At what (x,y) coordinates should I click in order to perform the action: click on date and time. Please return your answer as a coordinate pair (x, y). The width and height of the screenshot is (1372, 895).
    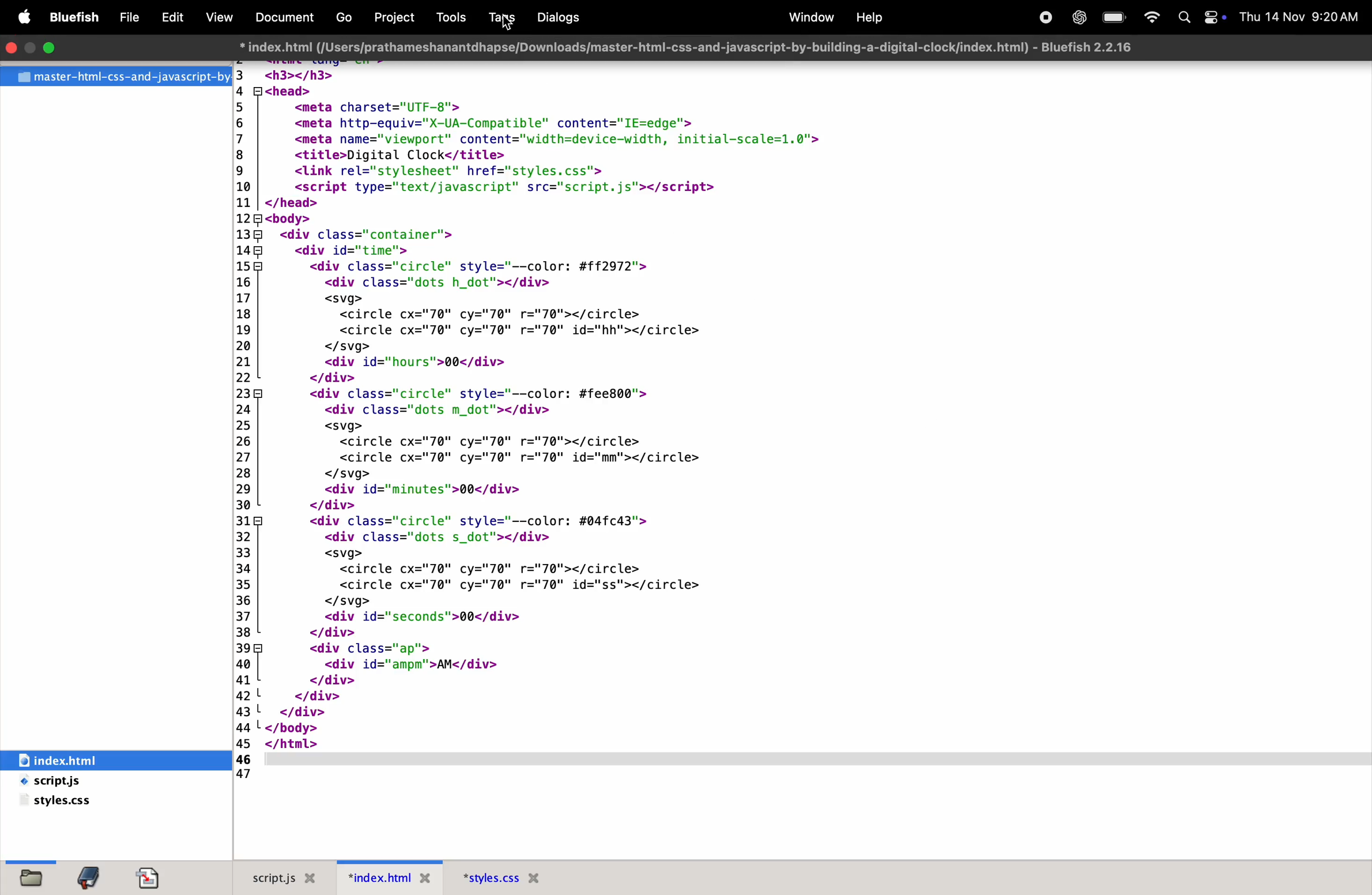
    Looking at the image, I should click on (1299, 16).